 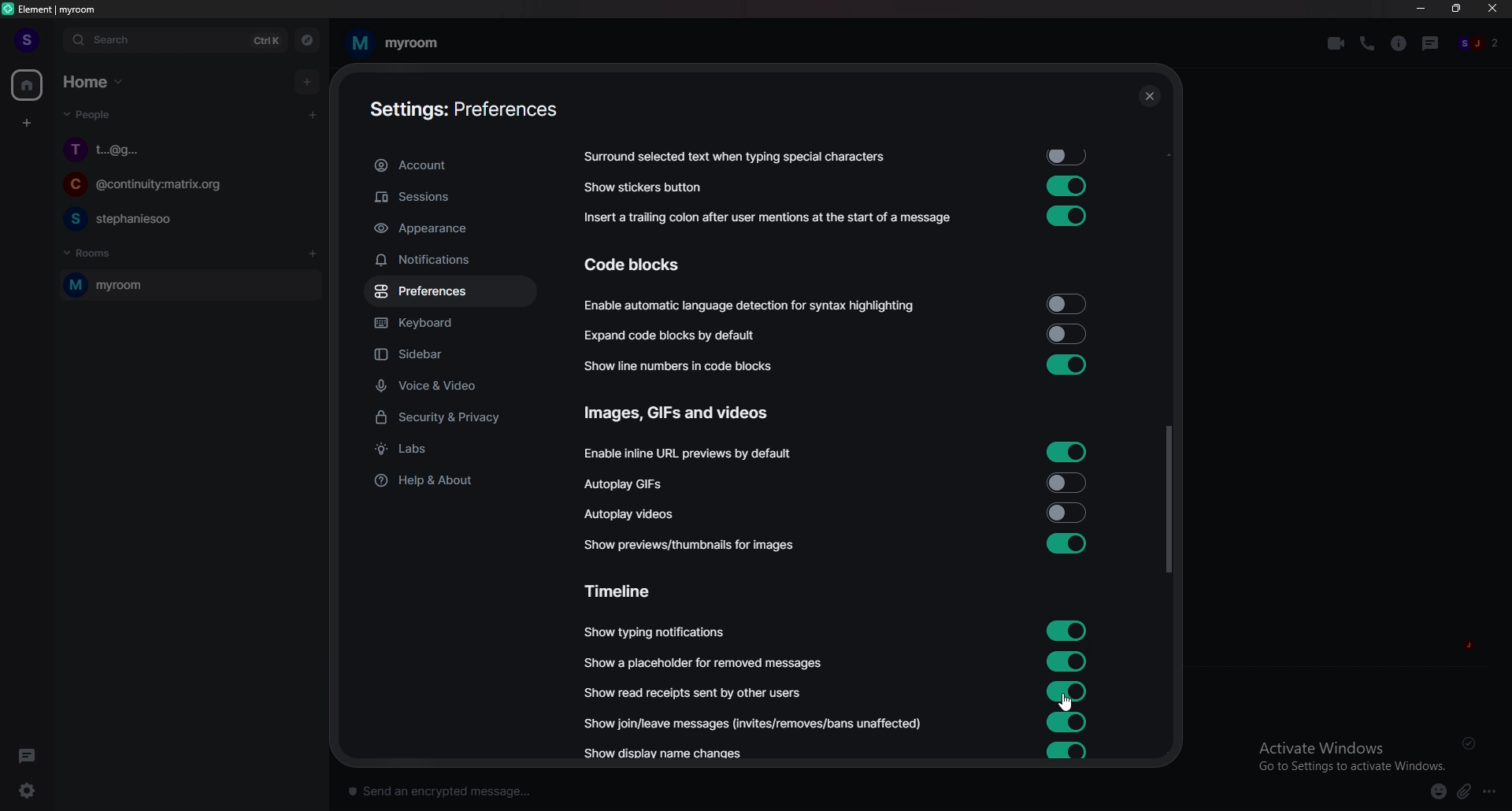 I want to click on chat, so click(x=184, y=187).